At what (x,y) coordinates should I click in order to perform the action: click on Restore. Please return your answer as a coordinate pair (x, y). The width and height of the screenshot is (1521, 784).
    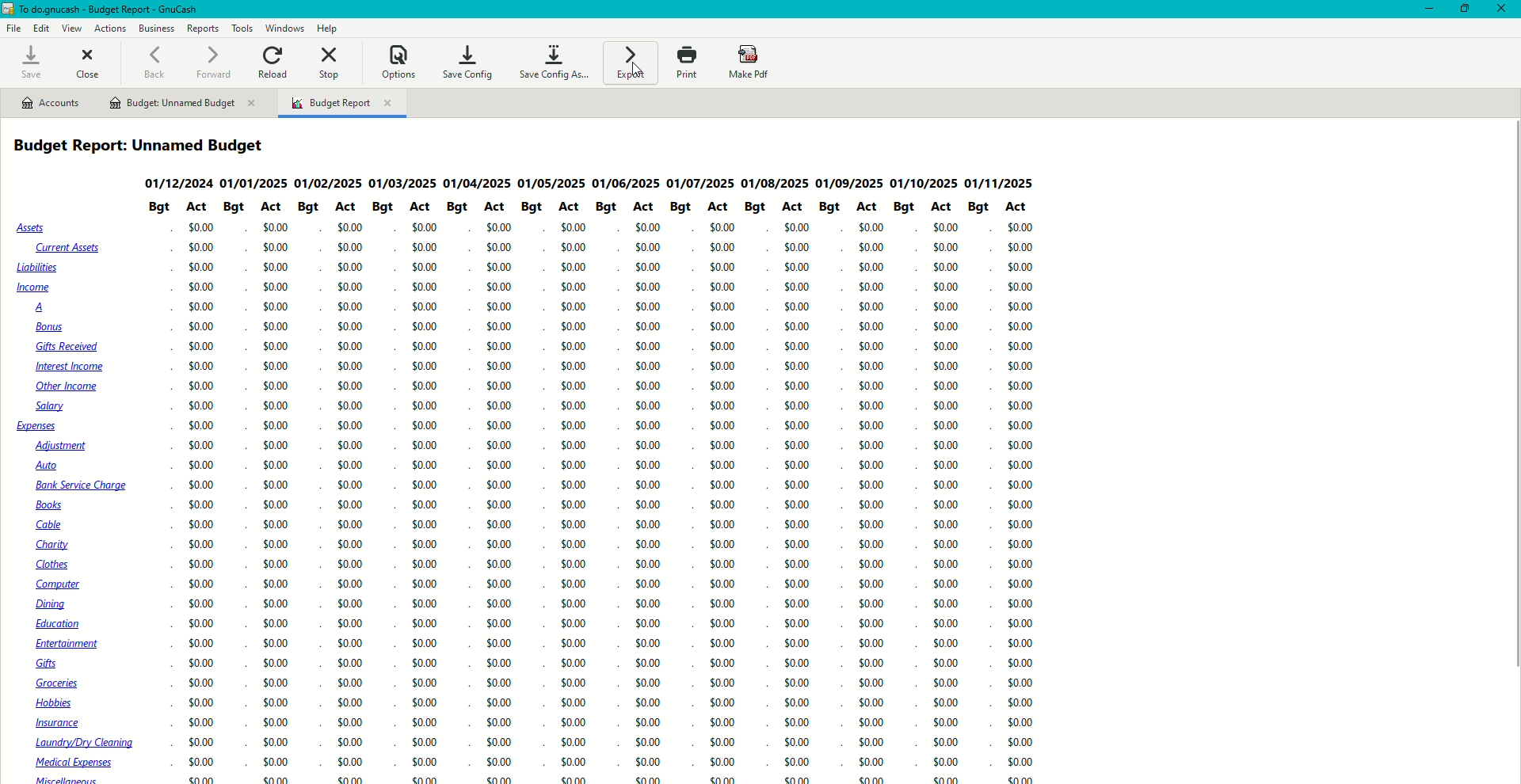
    Looking at the image, I should click on (1466, 10).